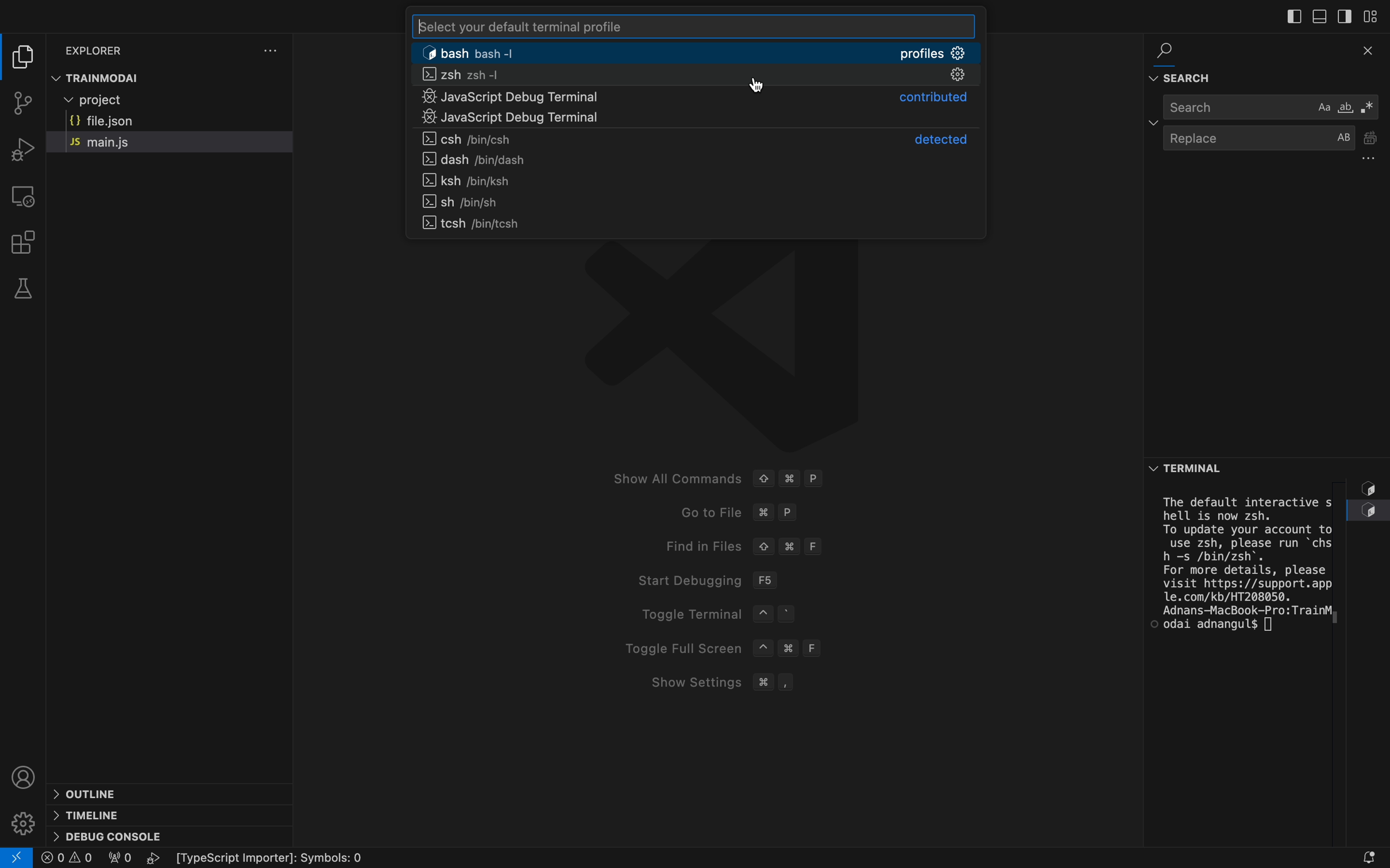 The image size is (1390, 868). What do you see at coordinates (1260, 144) in the screenshot?
I see `replace` at bounding box center [1260, 144].